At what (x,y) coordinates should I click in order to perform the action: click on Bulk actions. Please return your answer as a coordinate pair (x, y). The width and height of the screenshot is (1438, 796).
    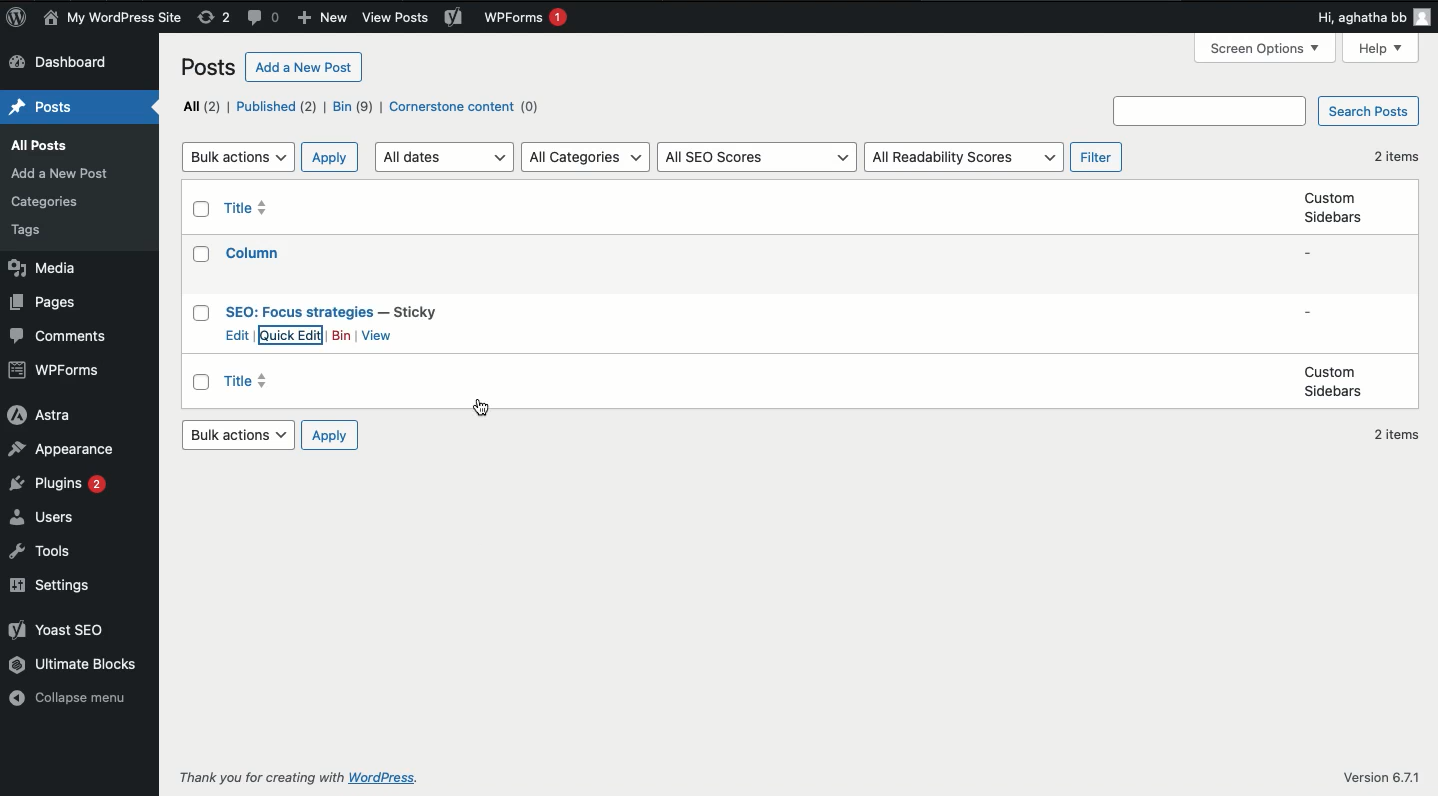
    Looking at the image, I should click on (238, 434).